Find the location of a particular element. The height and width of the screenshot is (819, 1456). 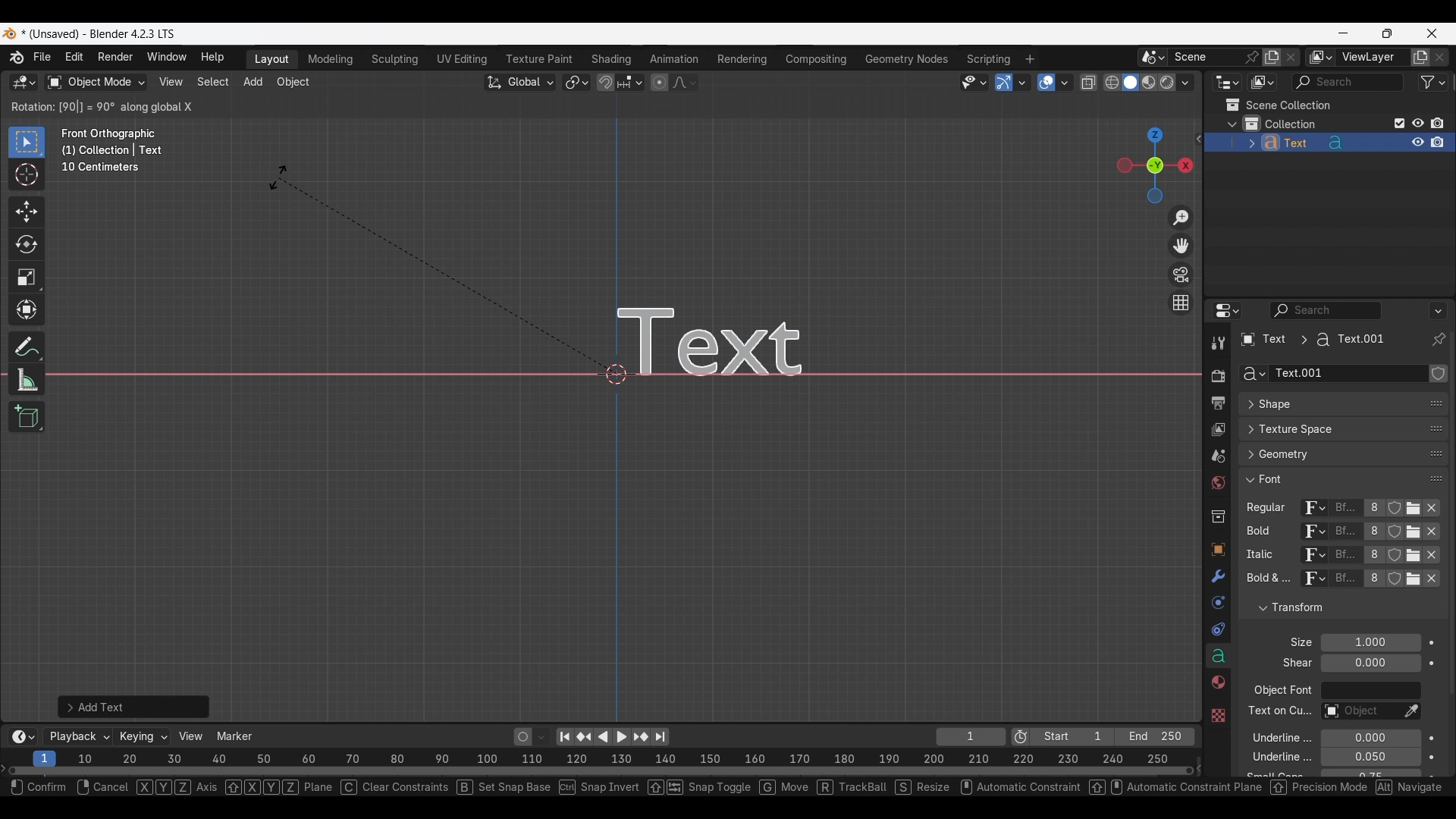

Select menu is located at coordinates (213, 83).